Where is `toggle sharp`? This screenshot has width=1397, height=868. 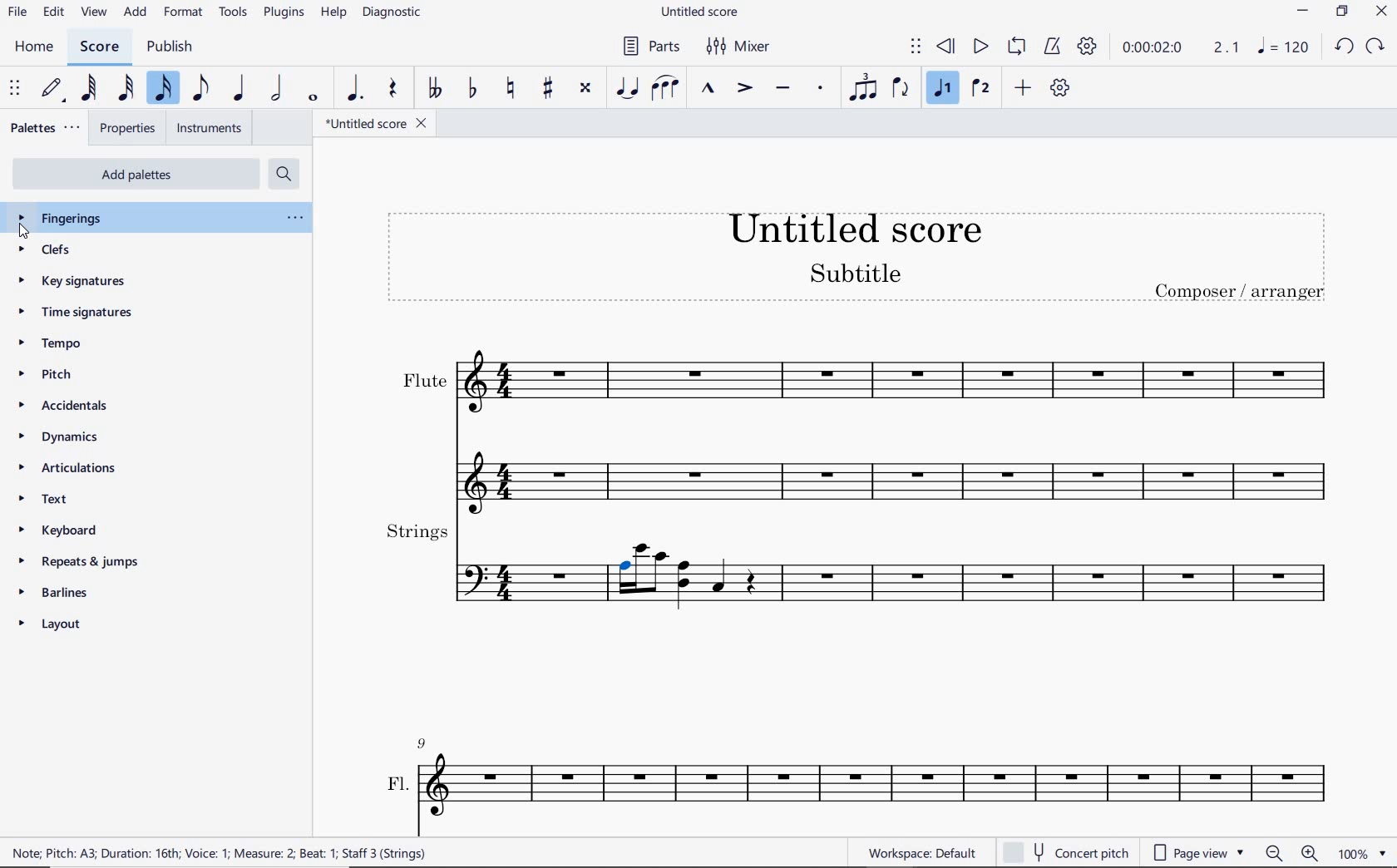 toggle sharp is located at coordinates (547, 88).